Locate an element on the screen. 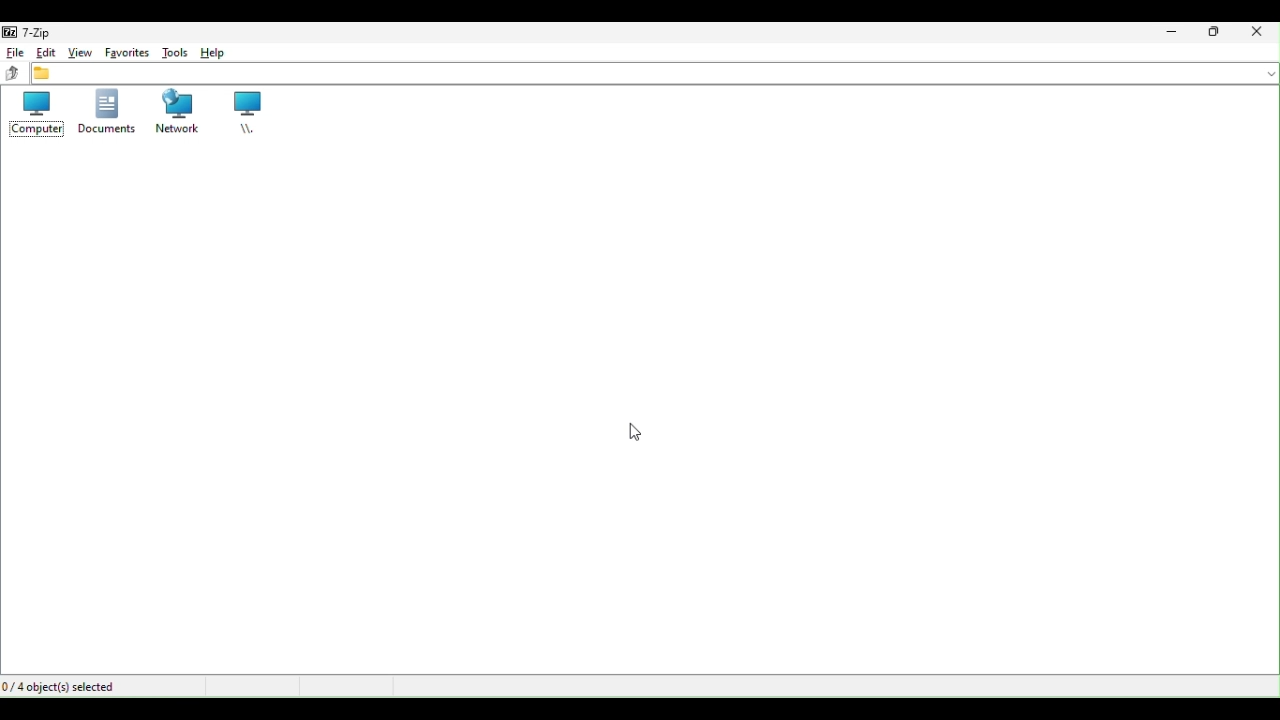 This screenshot has width=1280, height=720. Mouse is located at coordinates (635, 433).